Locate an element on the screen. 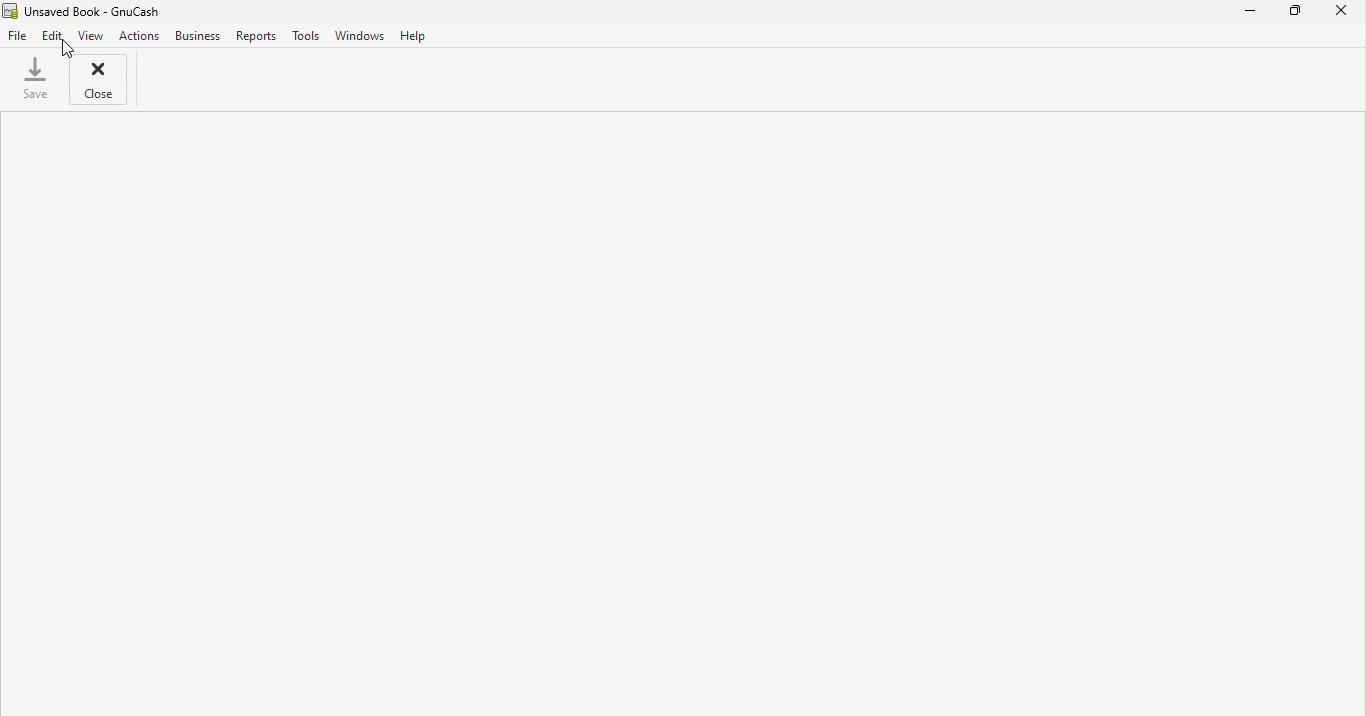 The width and height of the screenshot is (1366, 716). Minimize is located at coordinates (1251, 12).